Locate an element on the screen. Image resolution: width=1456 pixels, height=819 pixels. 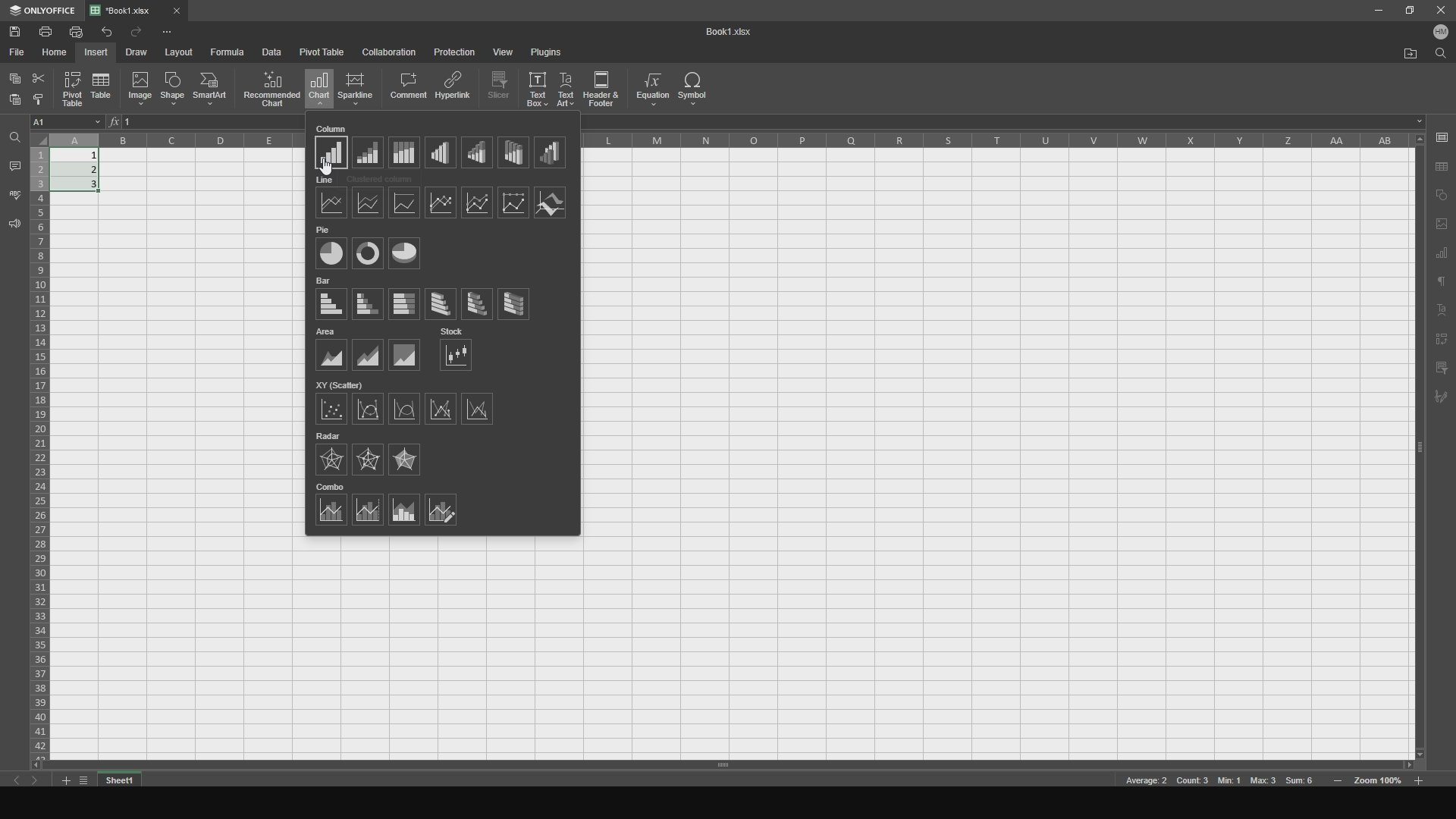
next sheet is located at coordinates (42, 783).